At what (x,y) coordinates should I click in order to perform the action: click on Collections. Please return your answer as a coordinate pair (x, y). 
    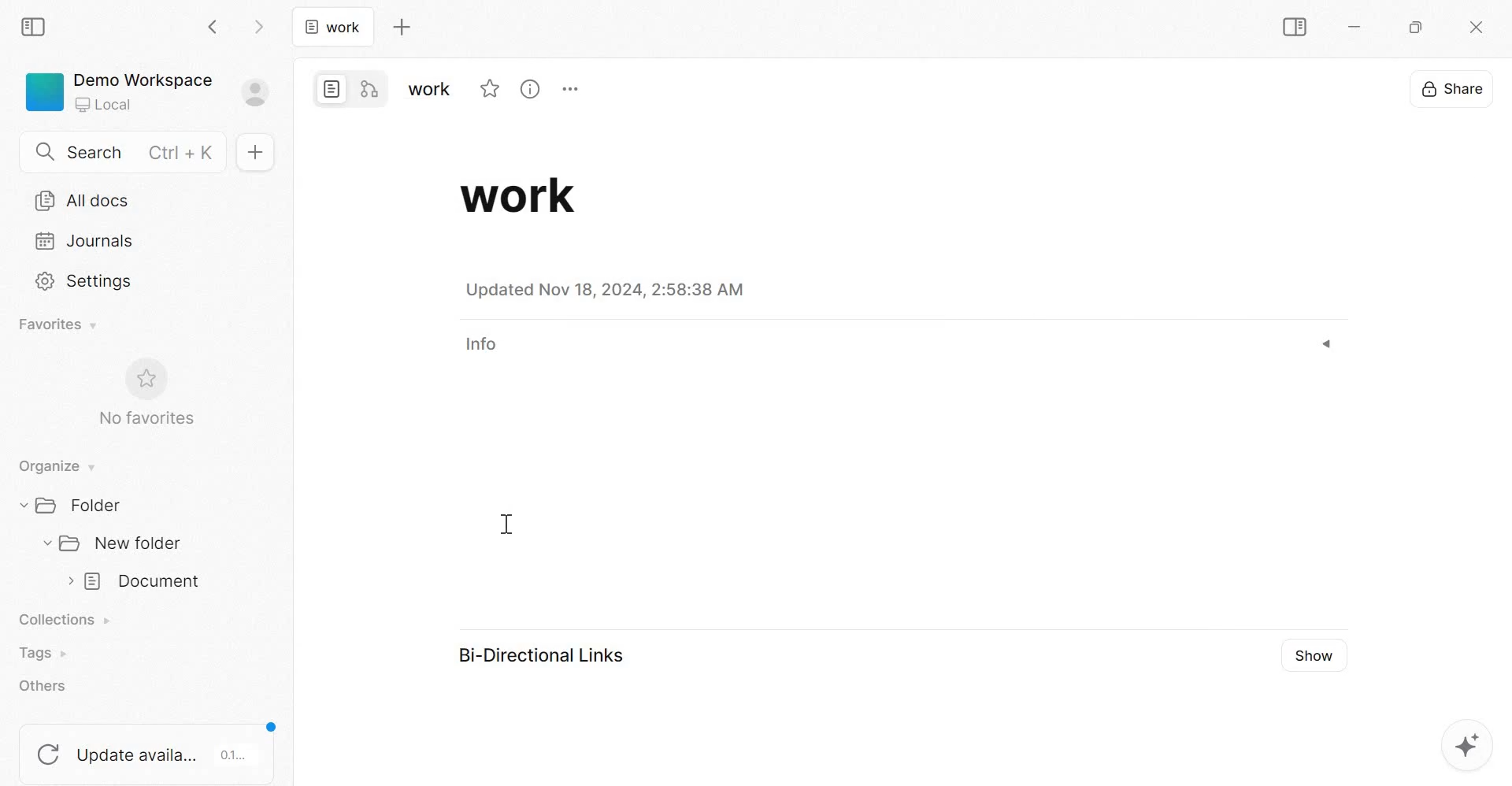
    Looking at the image, I should click on (69, 621).